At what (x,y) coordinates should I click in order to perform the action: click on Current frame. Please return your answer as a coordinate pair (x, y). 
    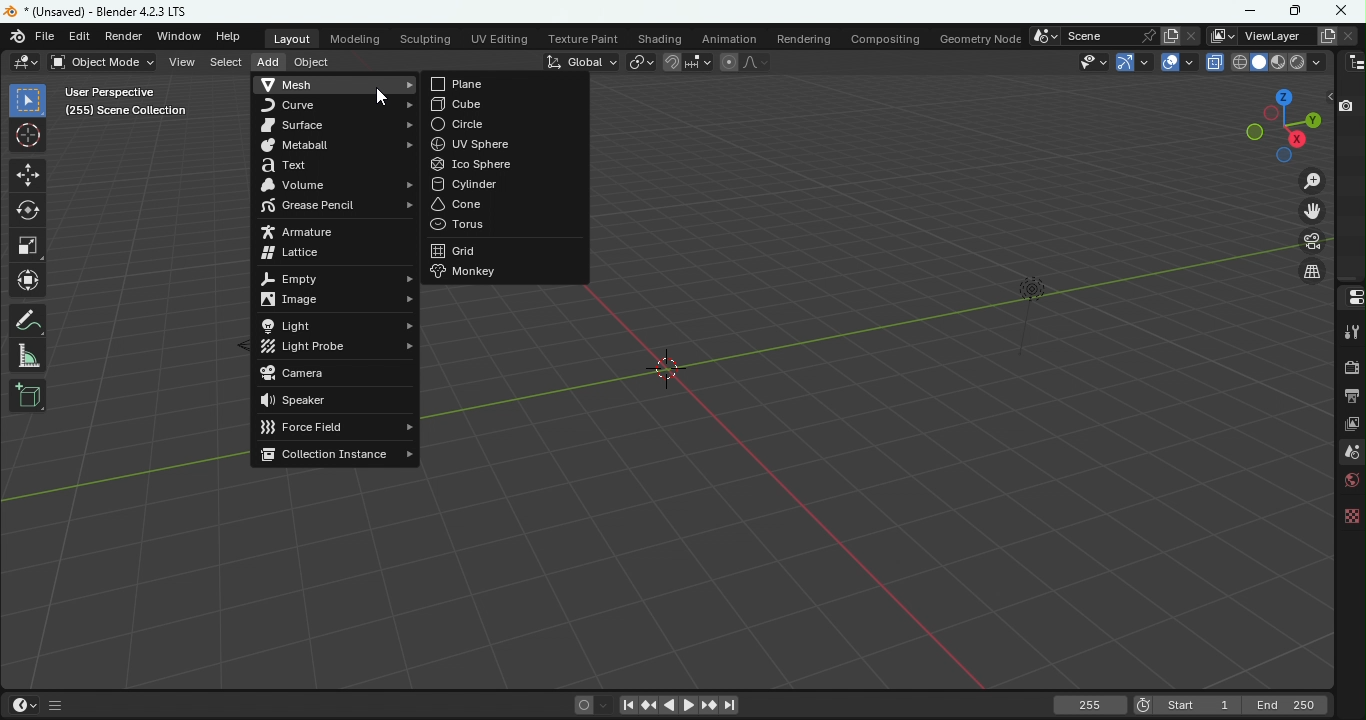
    Looking at the image, I should click on (1092, 706).